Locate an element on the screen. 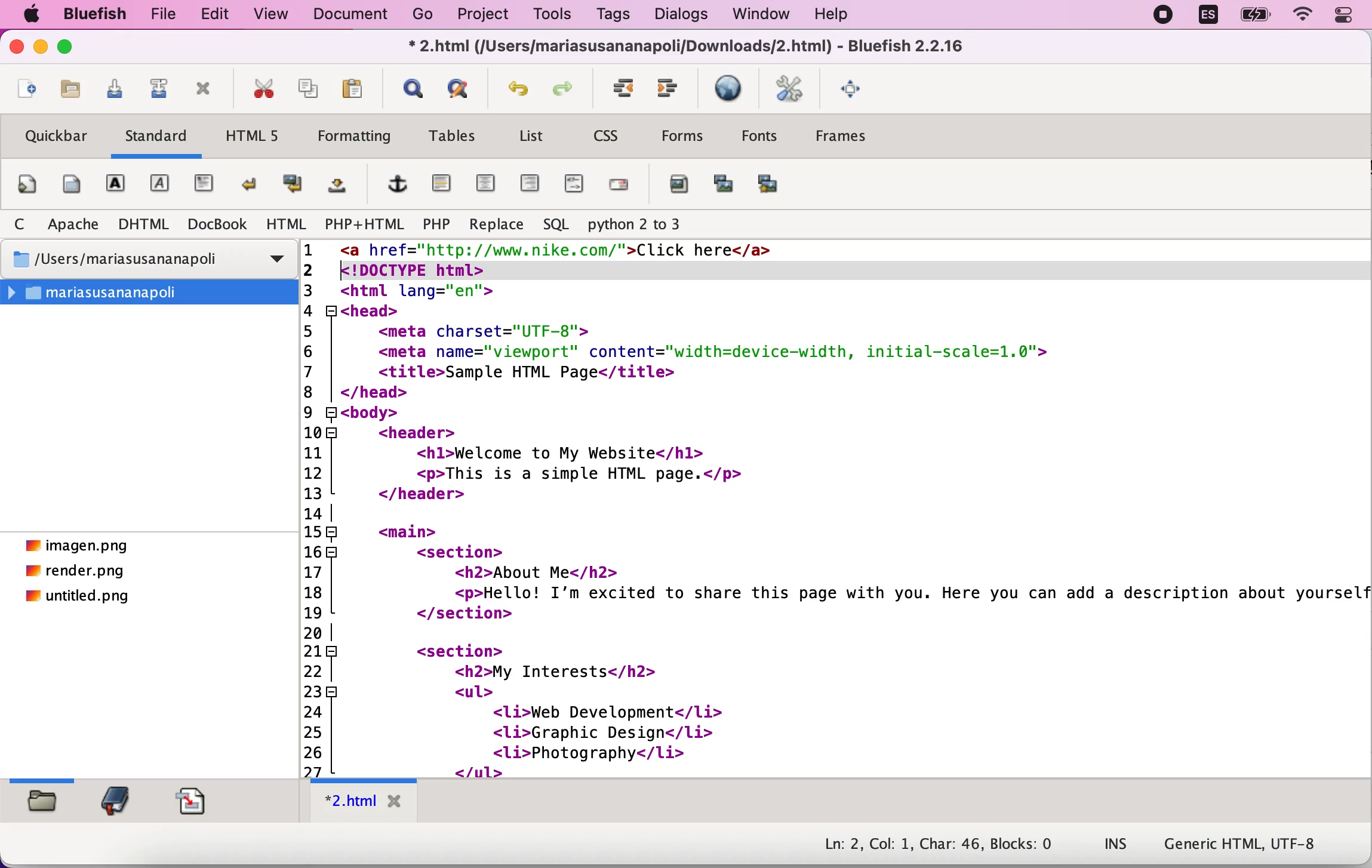 The image size is (1372, 868). dialogs is located at coordinates (682, 14).